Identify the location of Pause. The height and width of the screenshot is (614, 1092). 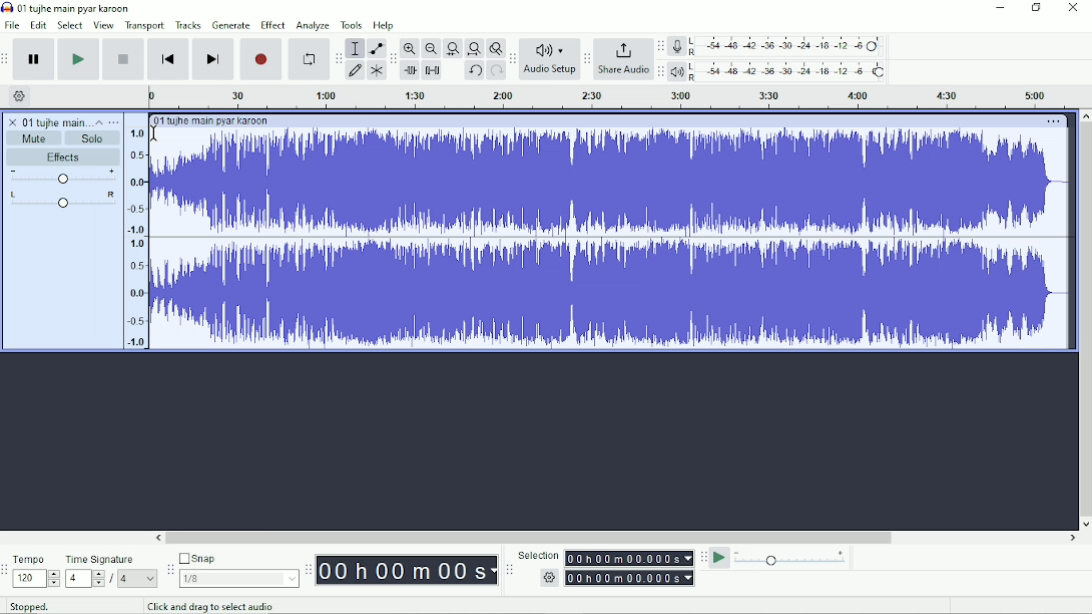
(36, 59).